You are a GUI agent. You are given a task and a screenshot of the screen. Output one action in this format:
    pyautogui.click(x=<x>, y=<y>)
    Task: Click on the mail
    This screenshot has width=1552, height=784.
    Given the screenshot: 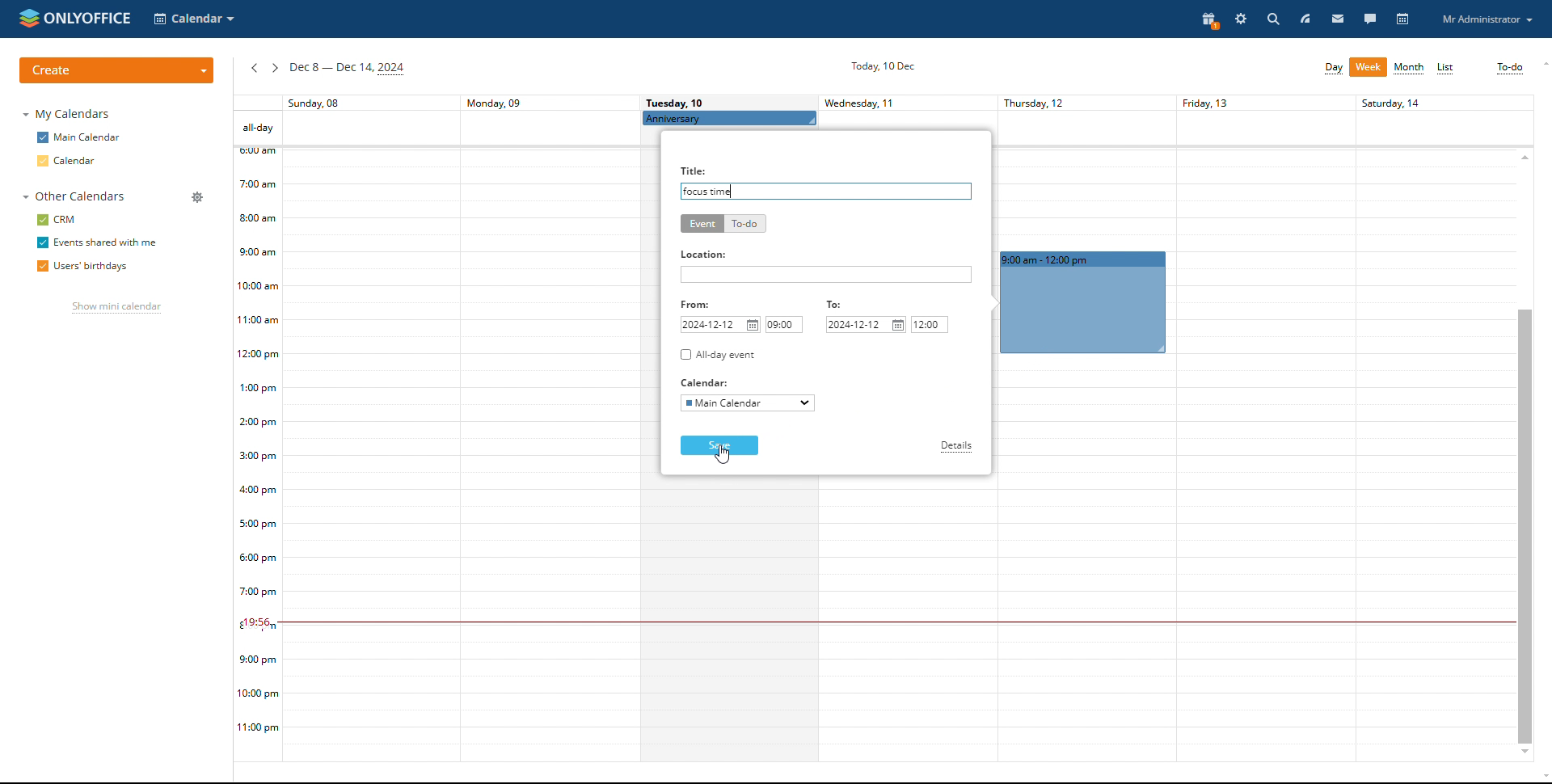 What is the action you would take?
    pyautogui.click(x=1338, y=18)
    